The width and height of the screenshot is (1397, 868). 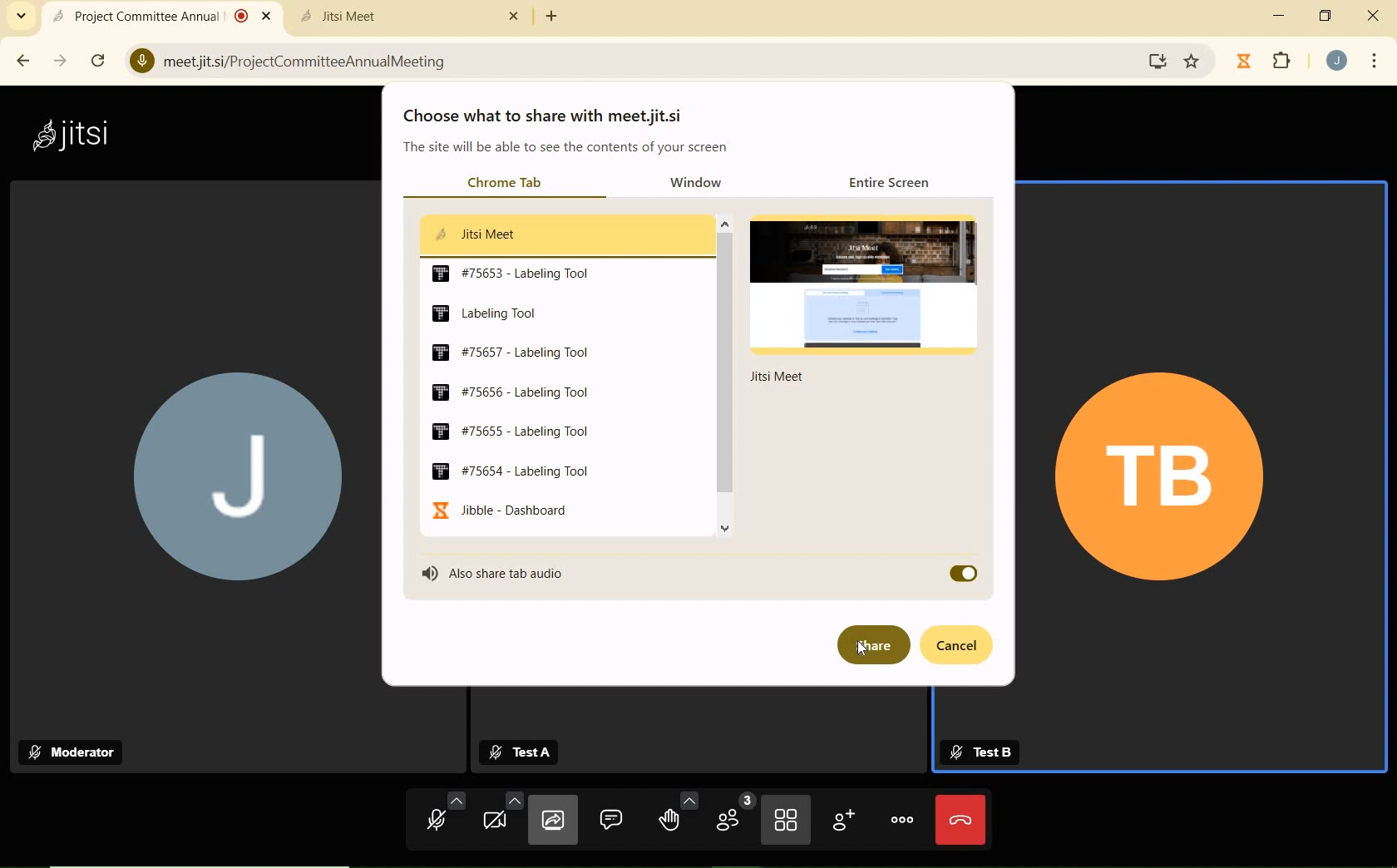 What do you see at coordinates (550, 822) in the screenshot?
I see `share screen` at bounding box center [550, 822].